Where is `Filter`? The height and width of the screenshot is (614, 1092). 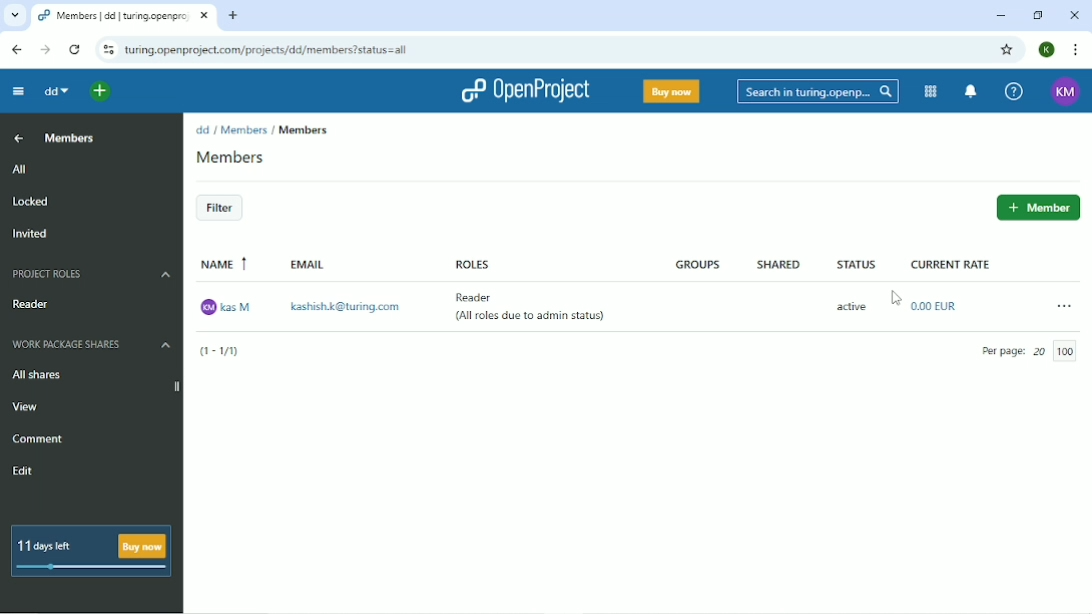 Filter is located at coordinates (219, 209).